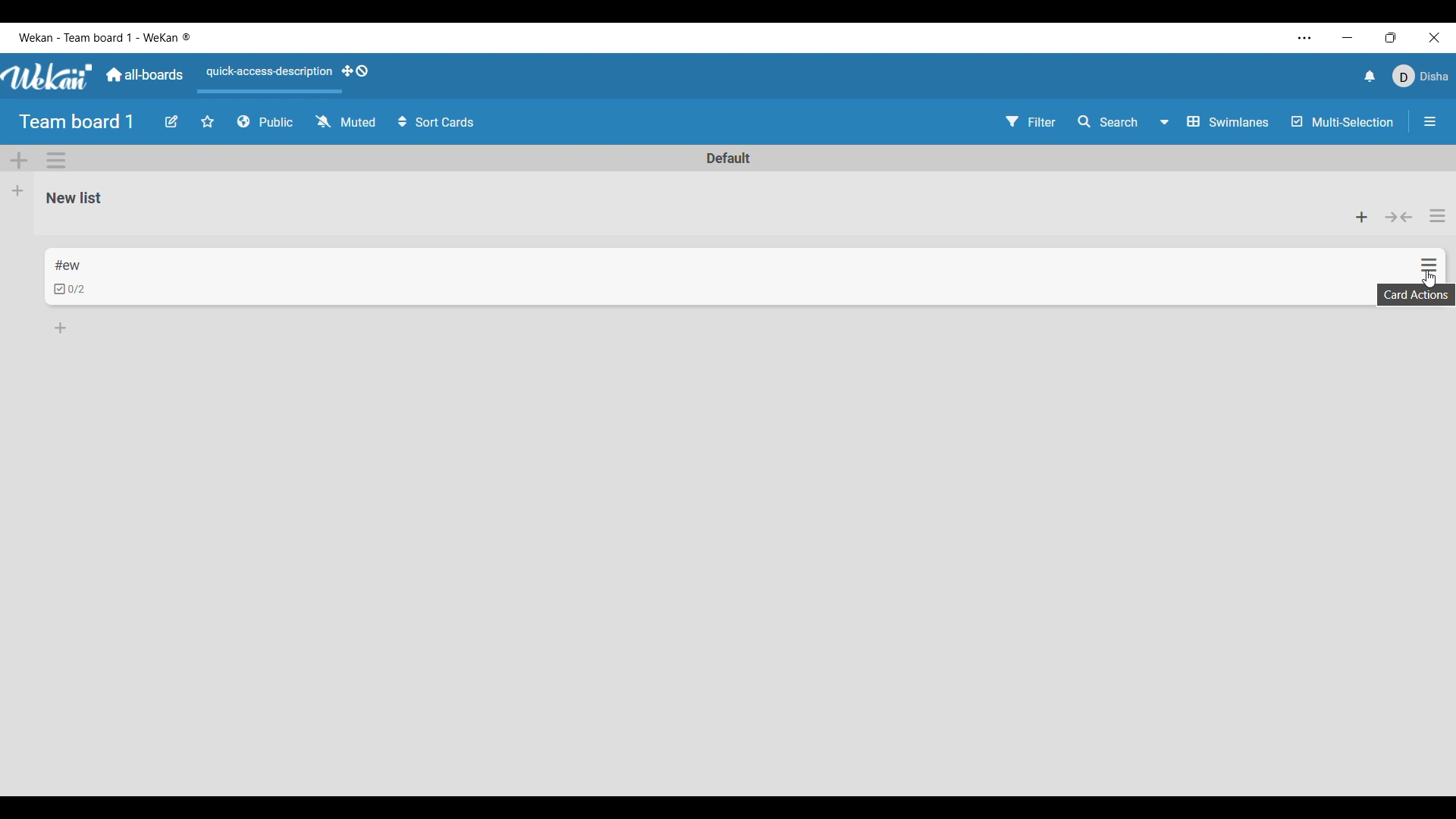  Describe the element at coordinates (1416, 295) in the screenshot. I see `Description of current selection` at that location.